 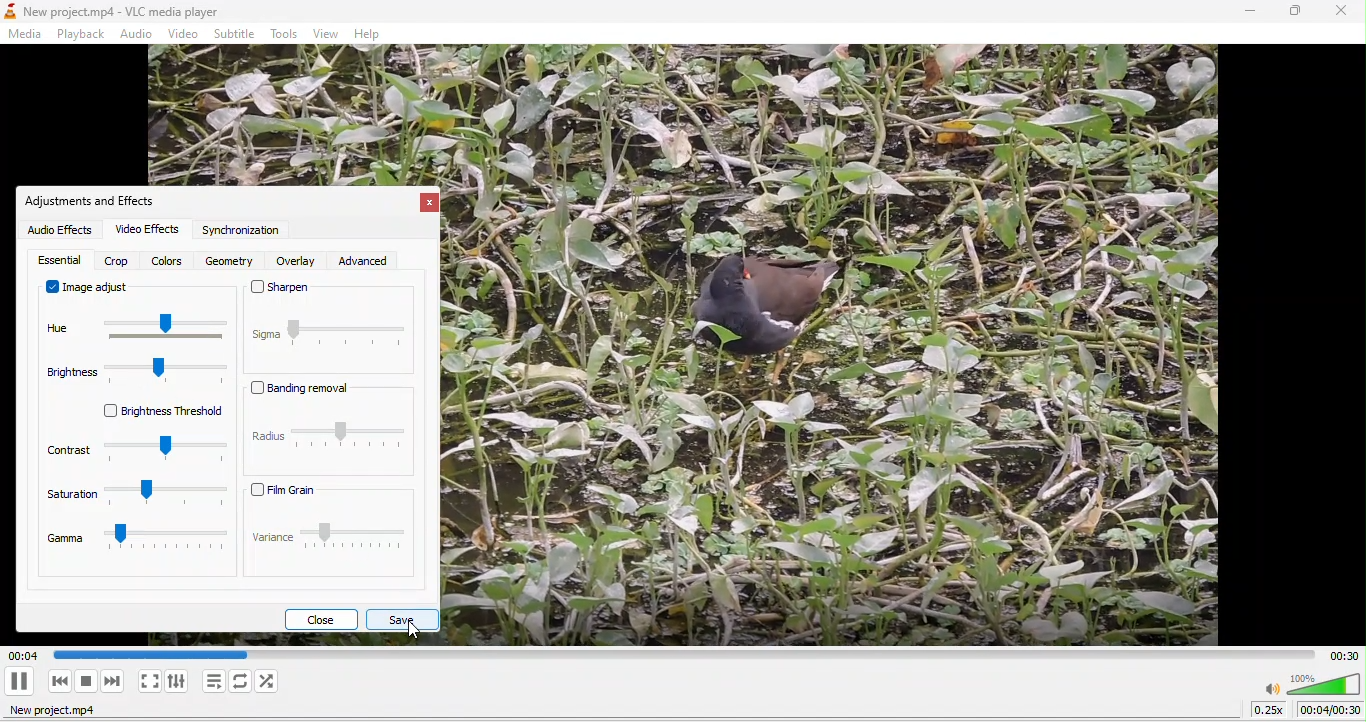 I want to click on maximize, so click(x=1293, y=12).